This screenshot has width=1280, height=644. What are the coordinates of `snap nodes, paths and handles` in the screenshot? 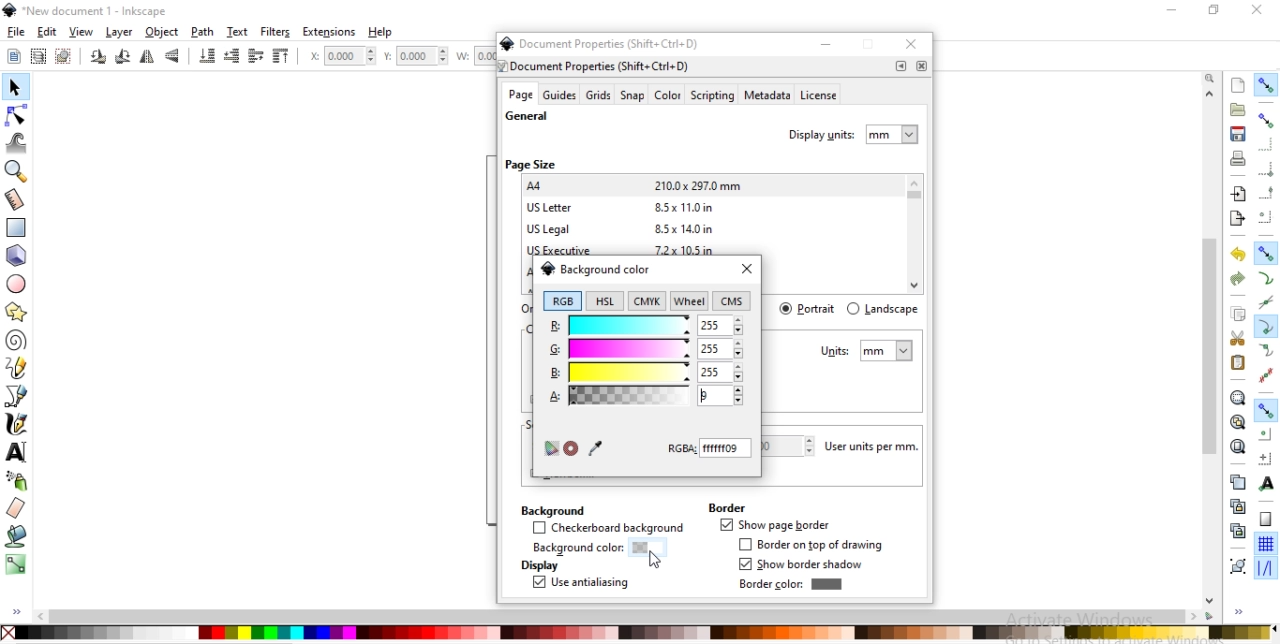 It's located at (1266, 253).